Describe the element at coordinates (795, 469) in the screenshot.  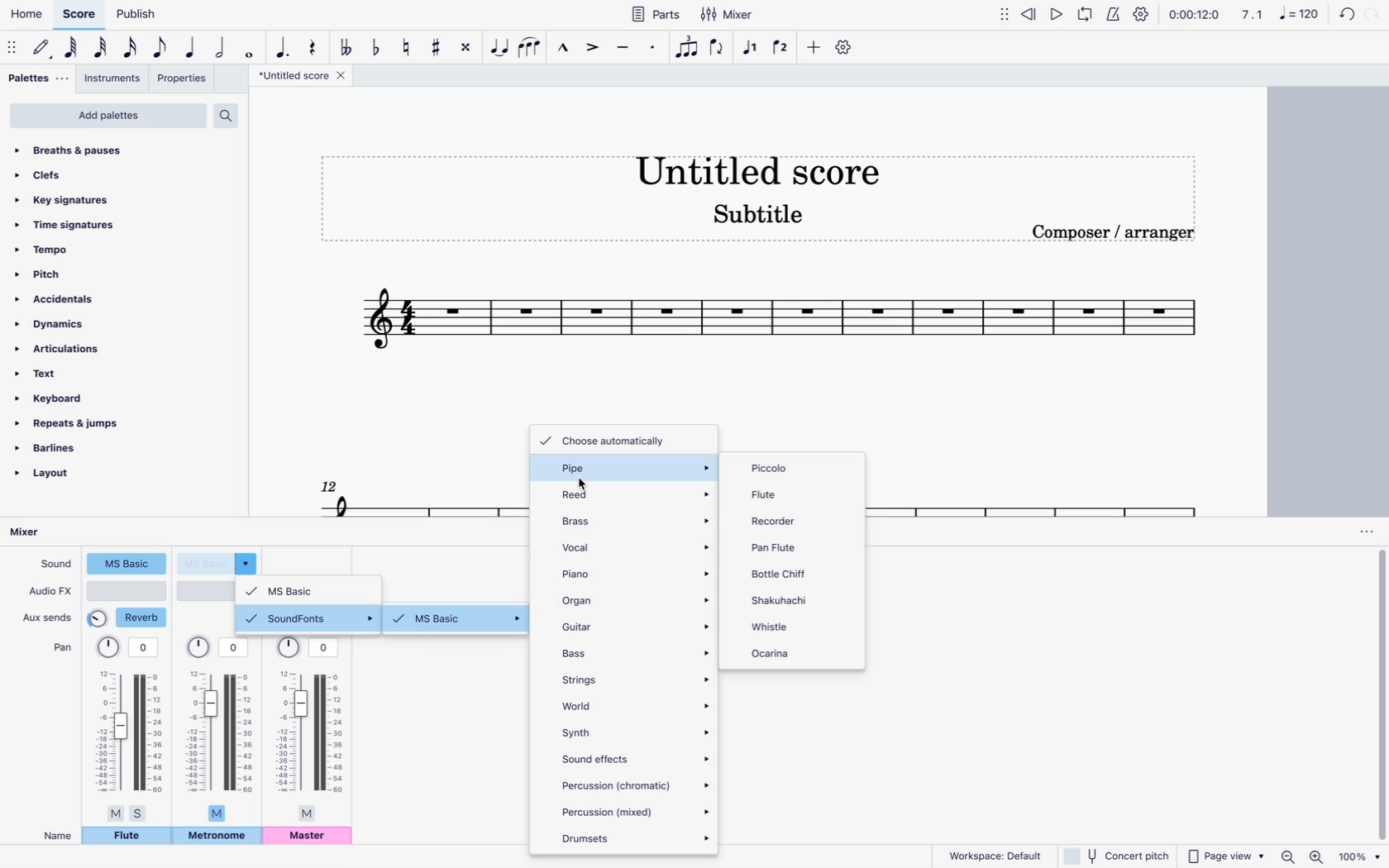
I see `piccolo` at that location.